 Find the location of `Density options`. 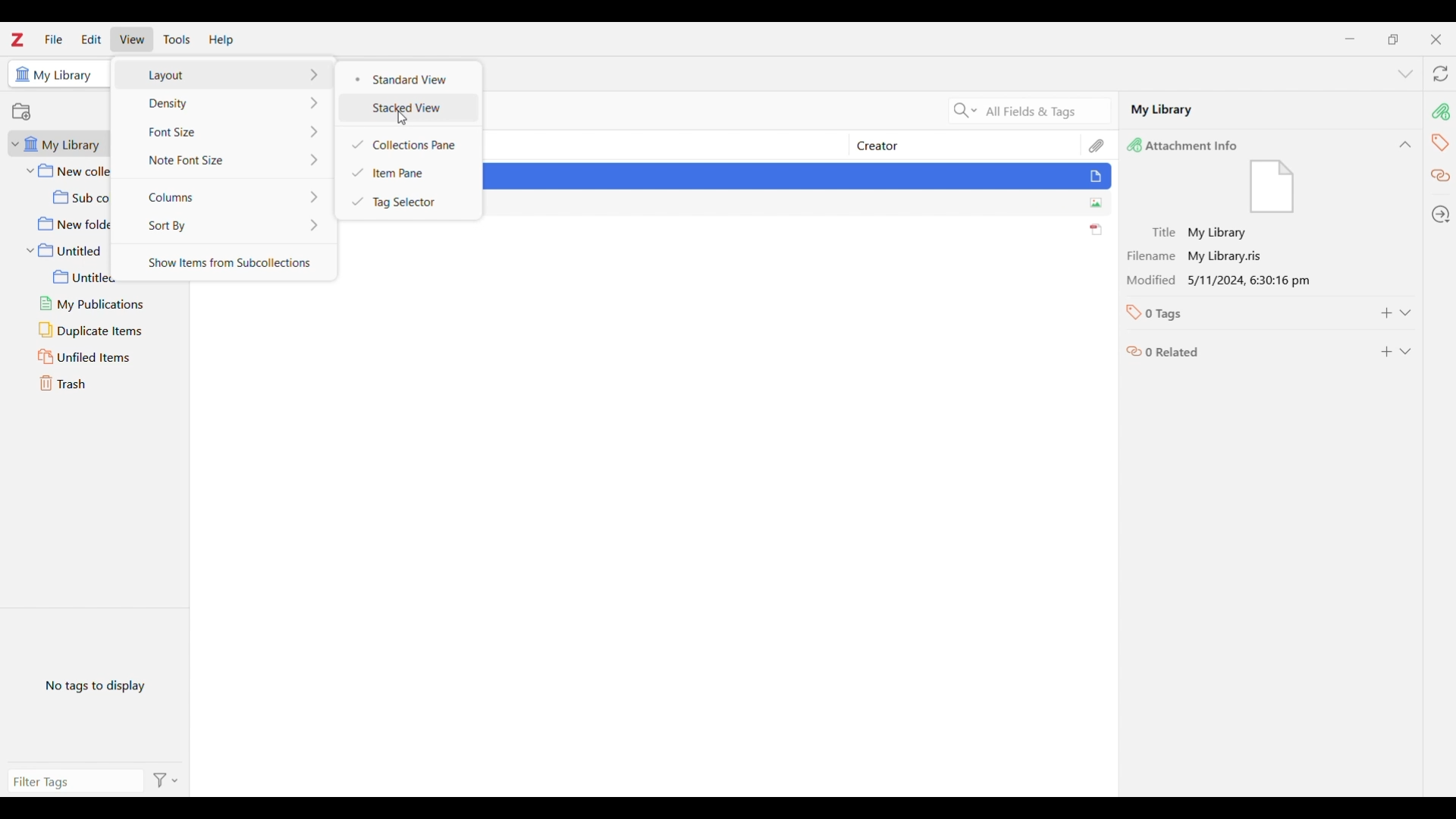

Density options is located at coordinates (224, 102).